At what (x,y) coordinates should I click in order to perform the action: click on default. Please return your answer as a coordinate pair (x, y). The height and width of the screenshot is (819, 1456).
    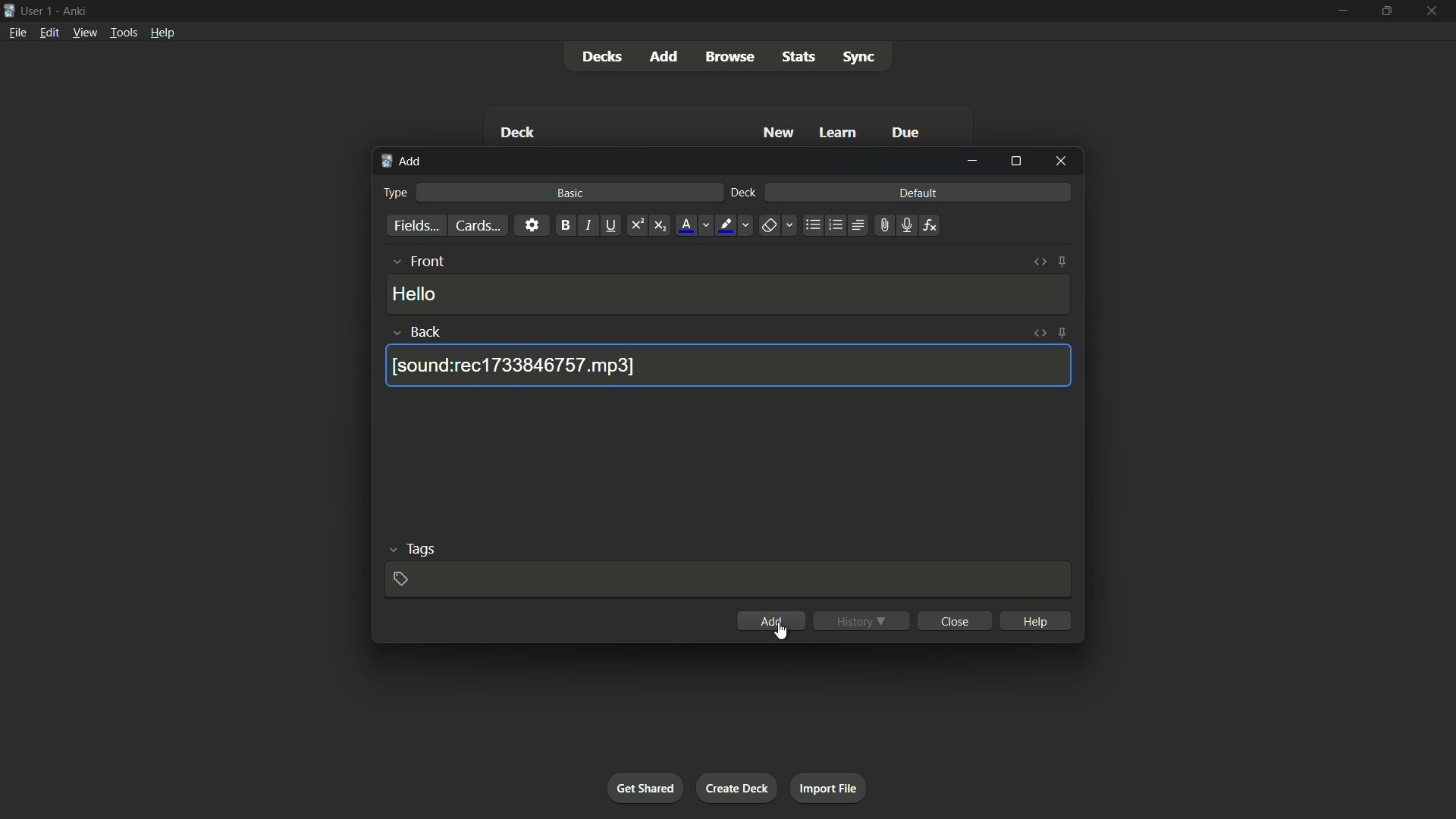
    Looking at the image, I should click on (918, 192).